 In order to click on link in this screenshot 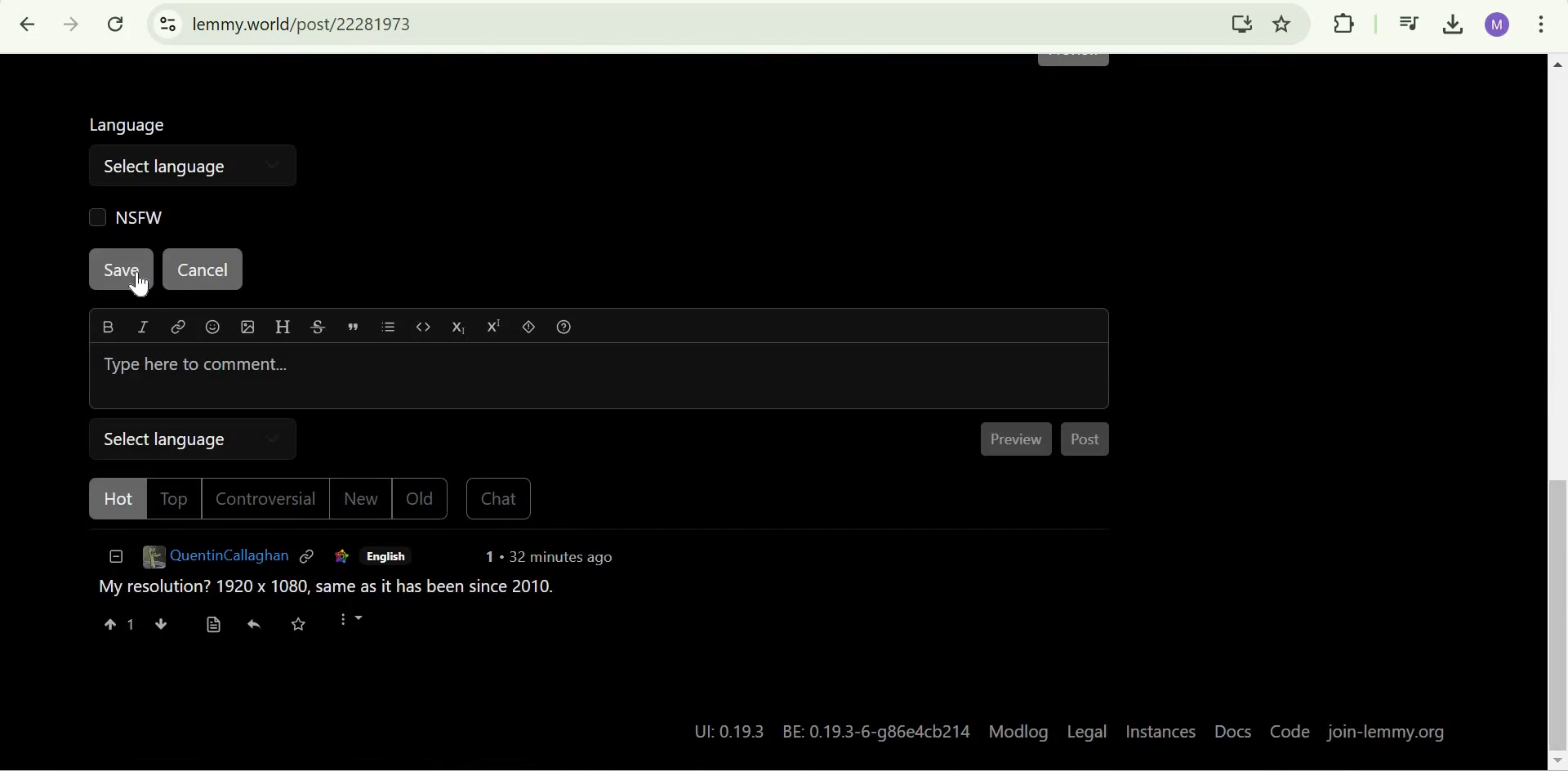, I will do `click(339, 558)`.